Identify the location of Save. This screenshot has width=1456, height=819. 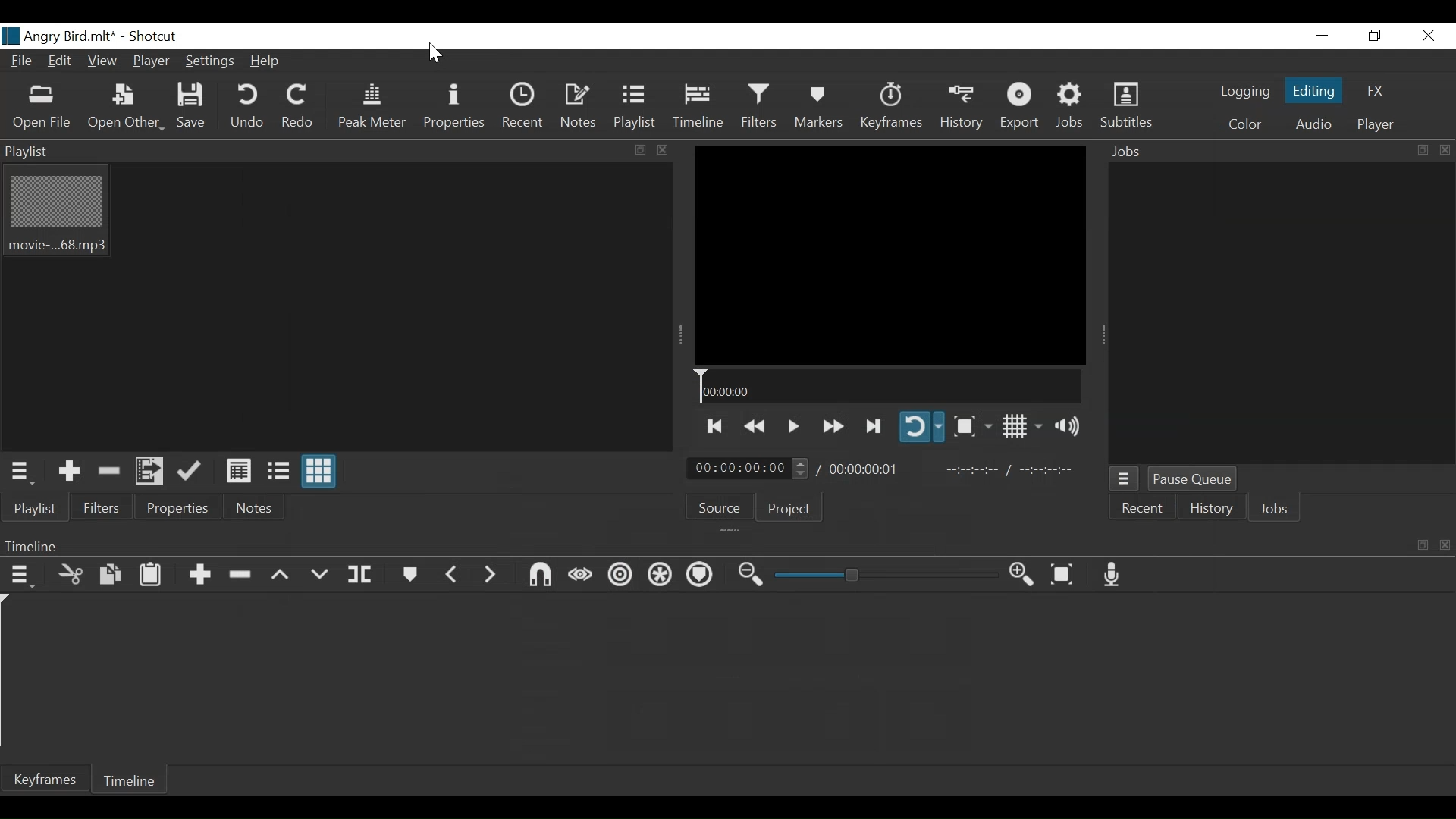
(194, 108).